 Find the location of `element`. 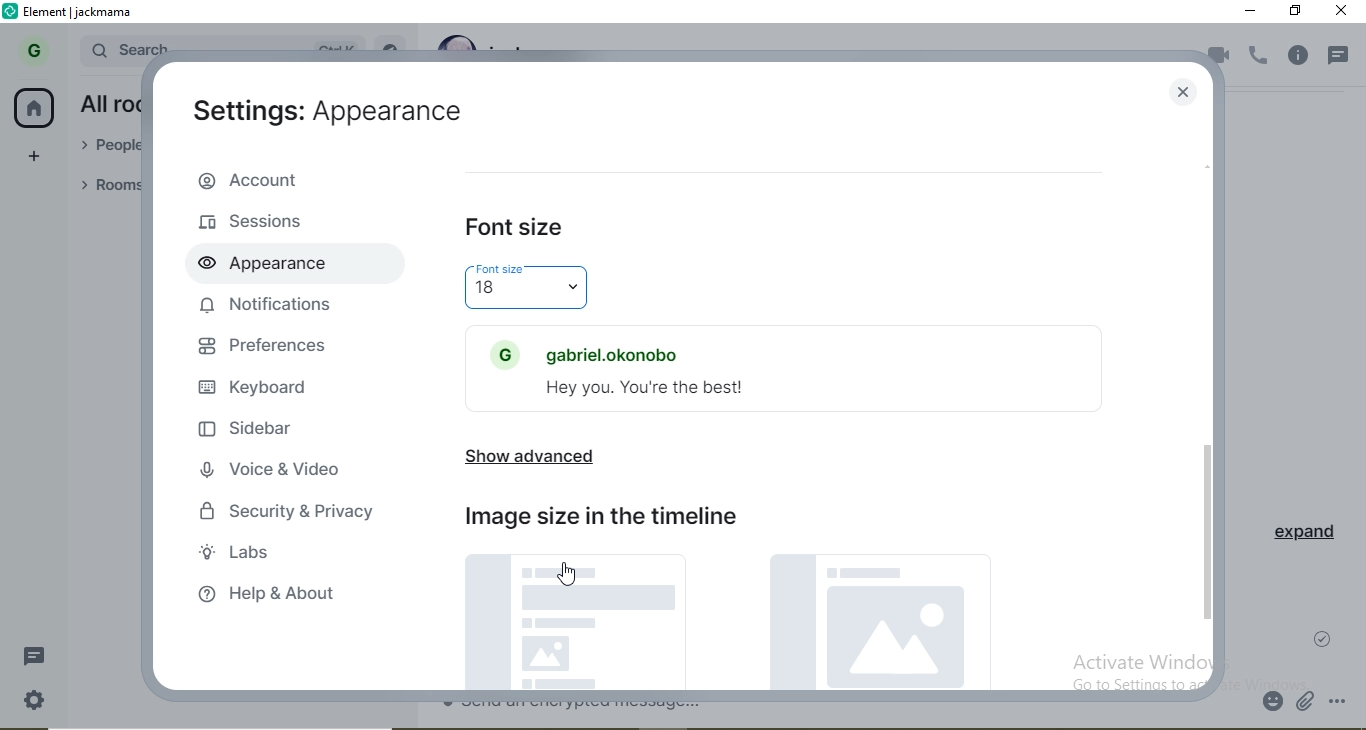

element is located at coordinates (79, 13).